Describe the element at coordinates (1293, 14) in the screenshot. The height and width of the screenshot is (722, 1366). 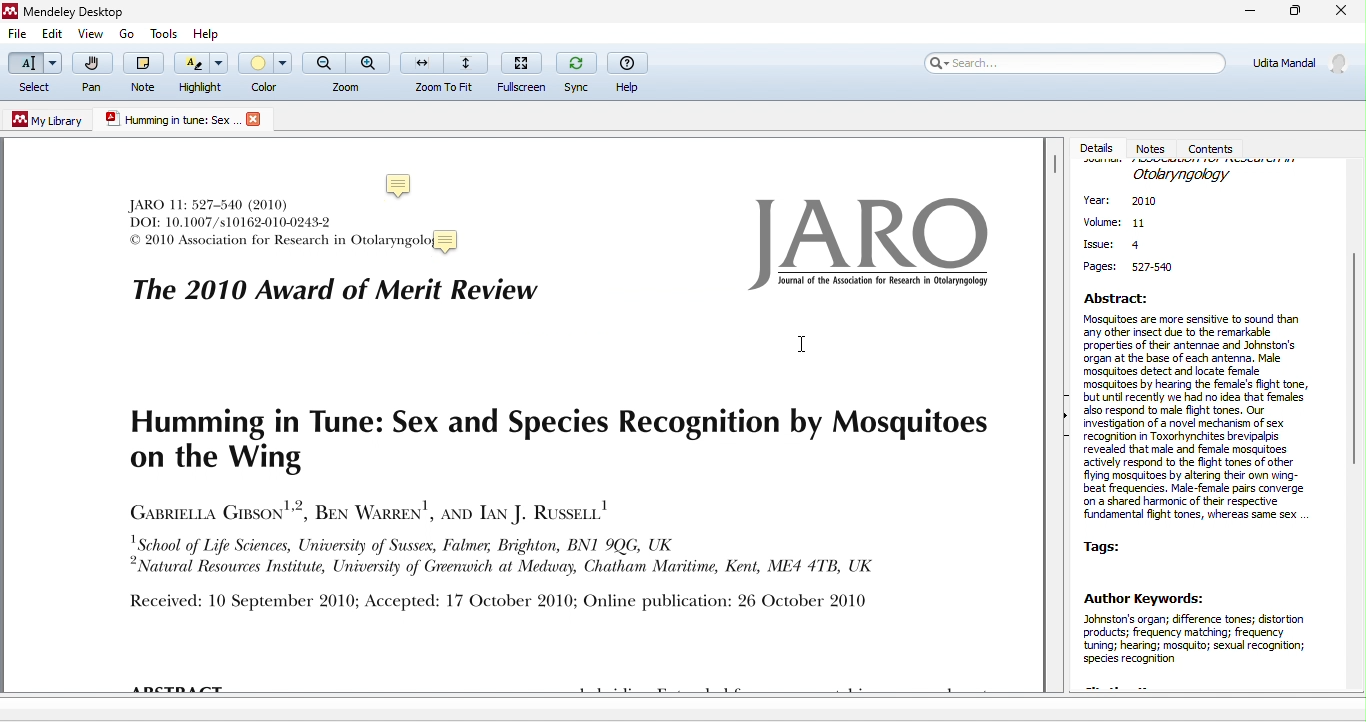
I see `maximize` at that location.